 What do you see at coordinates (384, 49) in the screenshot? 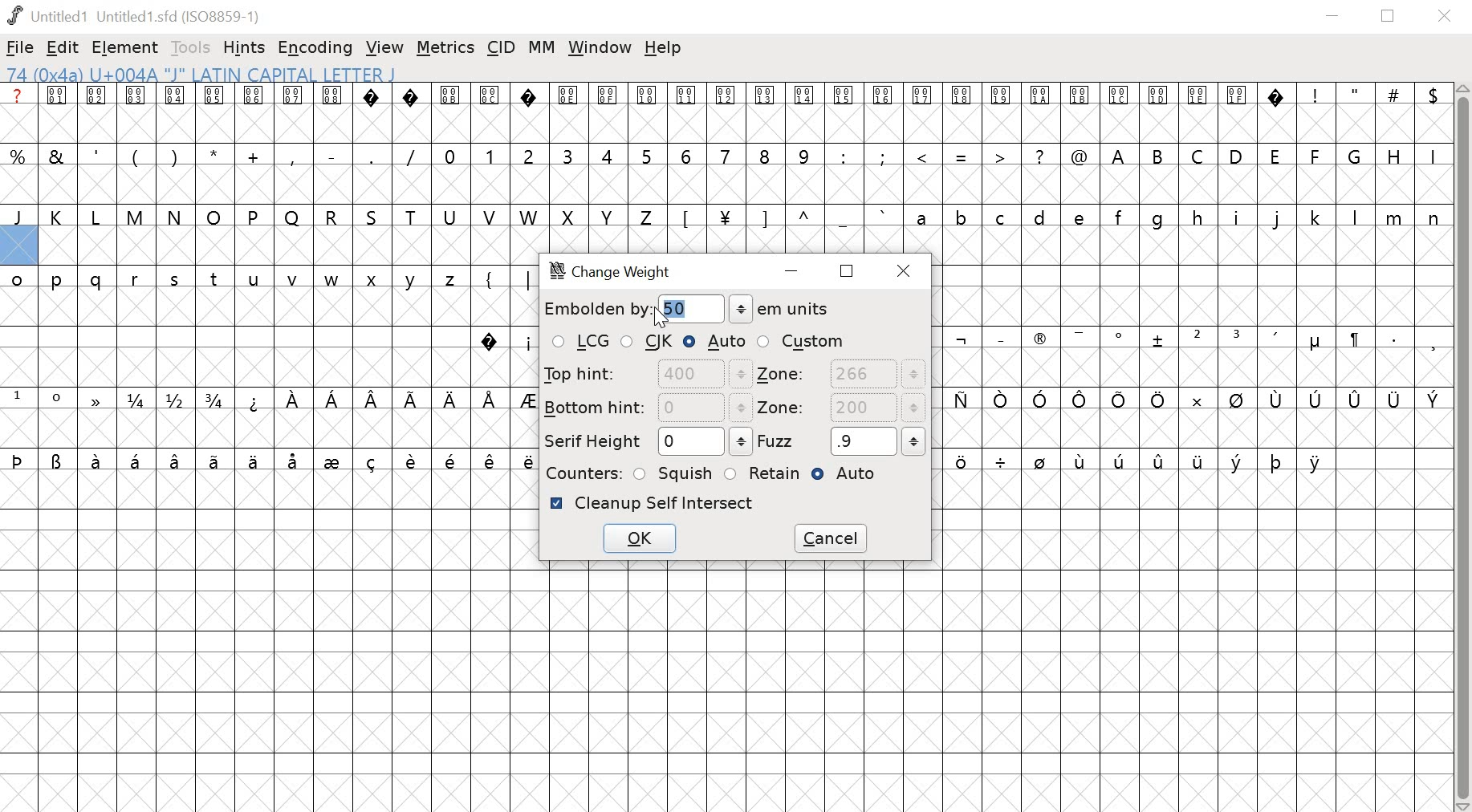
I see `VIEW` at bounding box center [384, 49].